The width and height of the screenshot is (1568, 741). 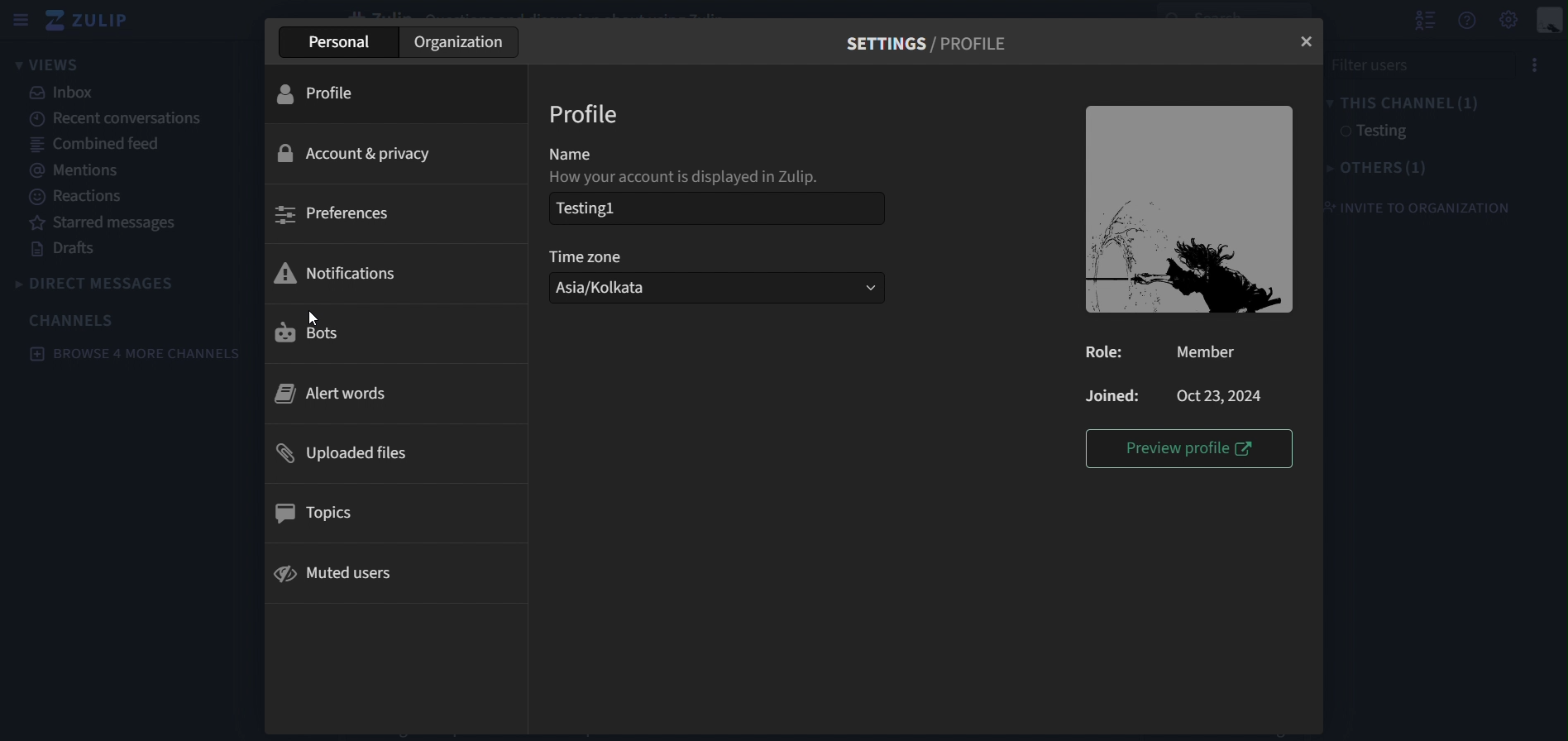 What do you see at coordinates (1105, 353) in the screenshot?
I see `Role` at bounding box center [1105, 353].